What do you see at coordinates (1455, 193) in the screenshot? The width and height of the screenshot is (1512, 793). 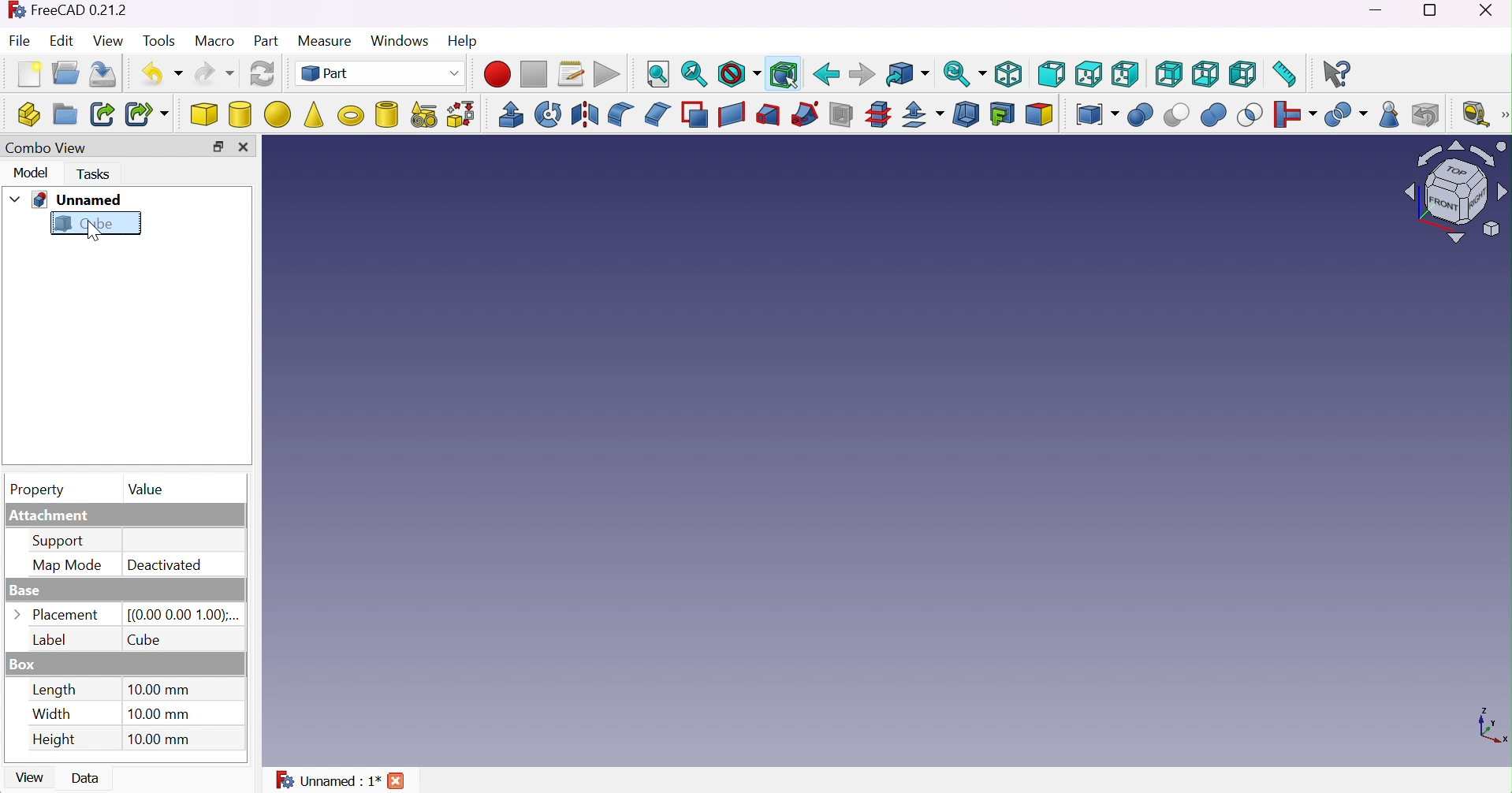 I see `Viewing angle` at bounding box center [1455, 193].